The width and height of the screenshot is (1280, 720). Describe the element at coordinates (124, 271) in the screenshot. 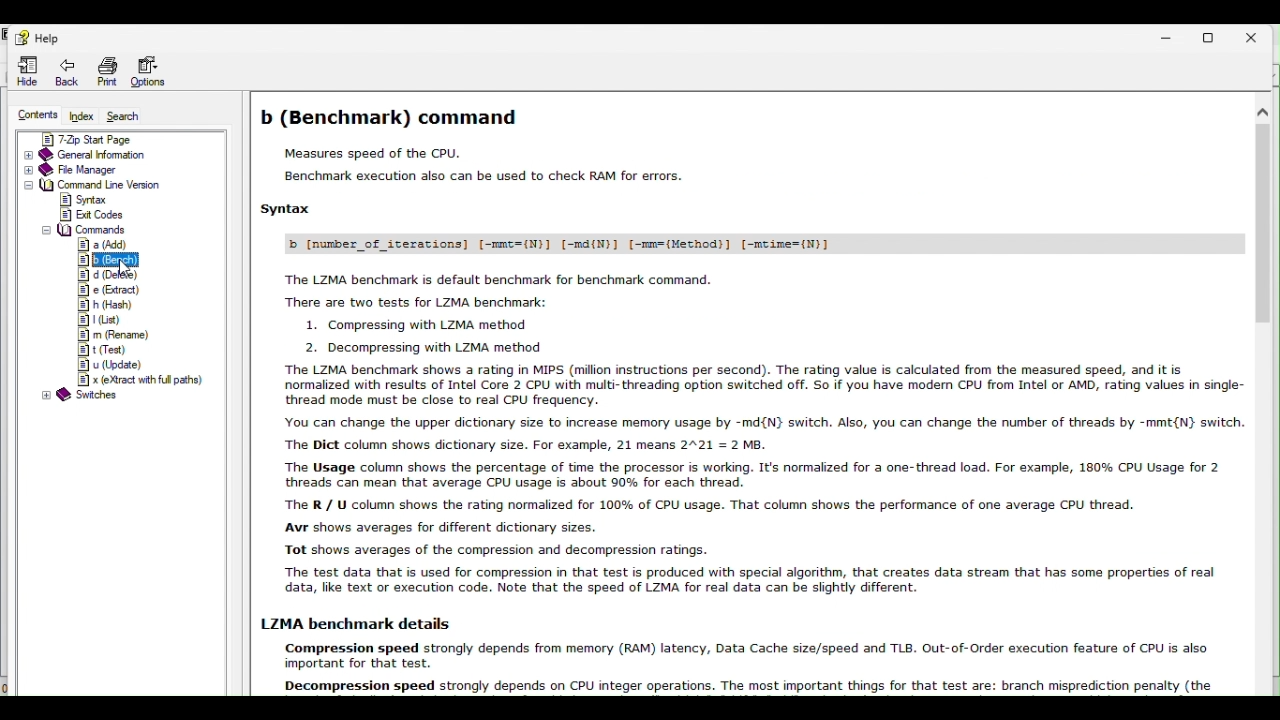

I see `cursor` at that location.